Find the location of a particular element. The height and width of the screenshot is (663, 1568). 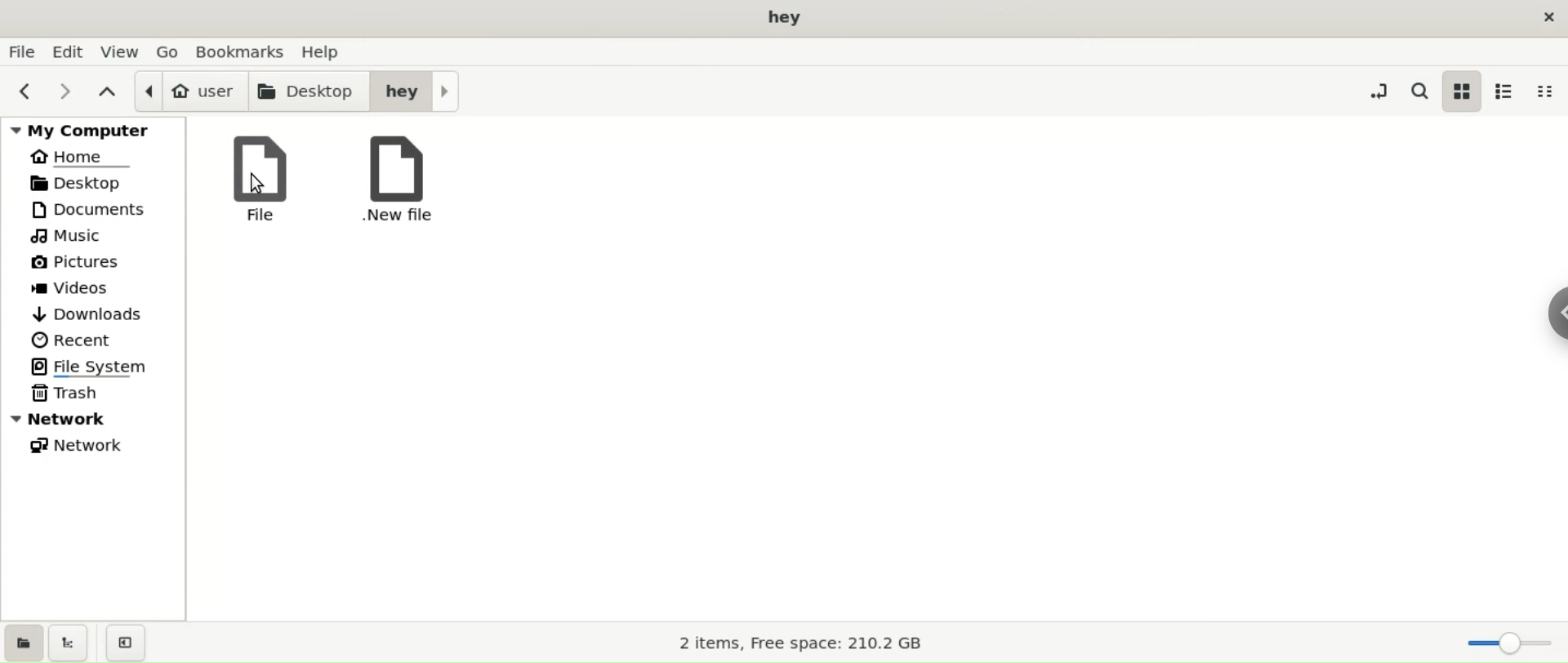

documetns is located at coordinates (93, 211).